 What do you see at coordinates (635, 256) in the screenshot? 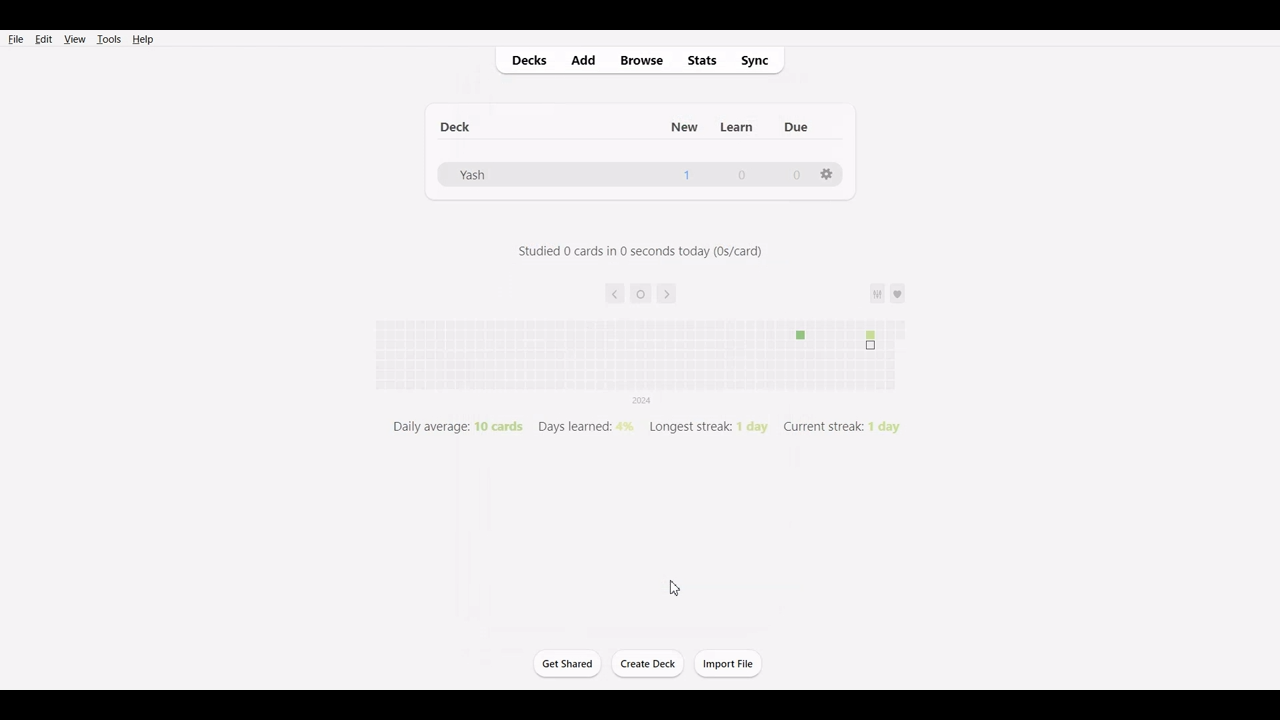
I see `‘Studied 0 cards in 0 seconds today (0s/card)` at bounding box center [635, 256].